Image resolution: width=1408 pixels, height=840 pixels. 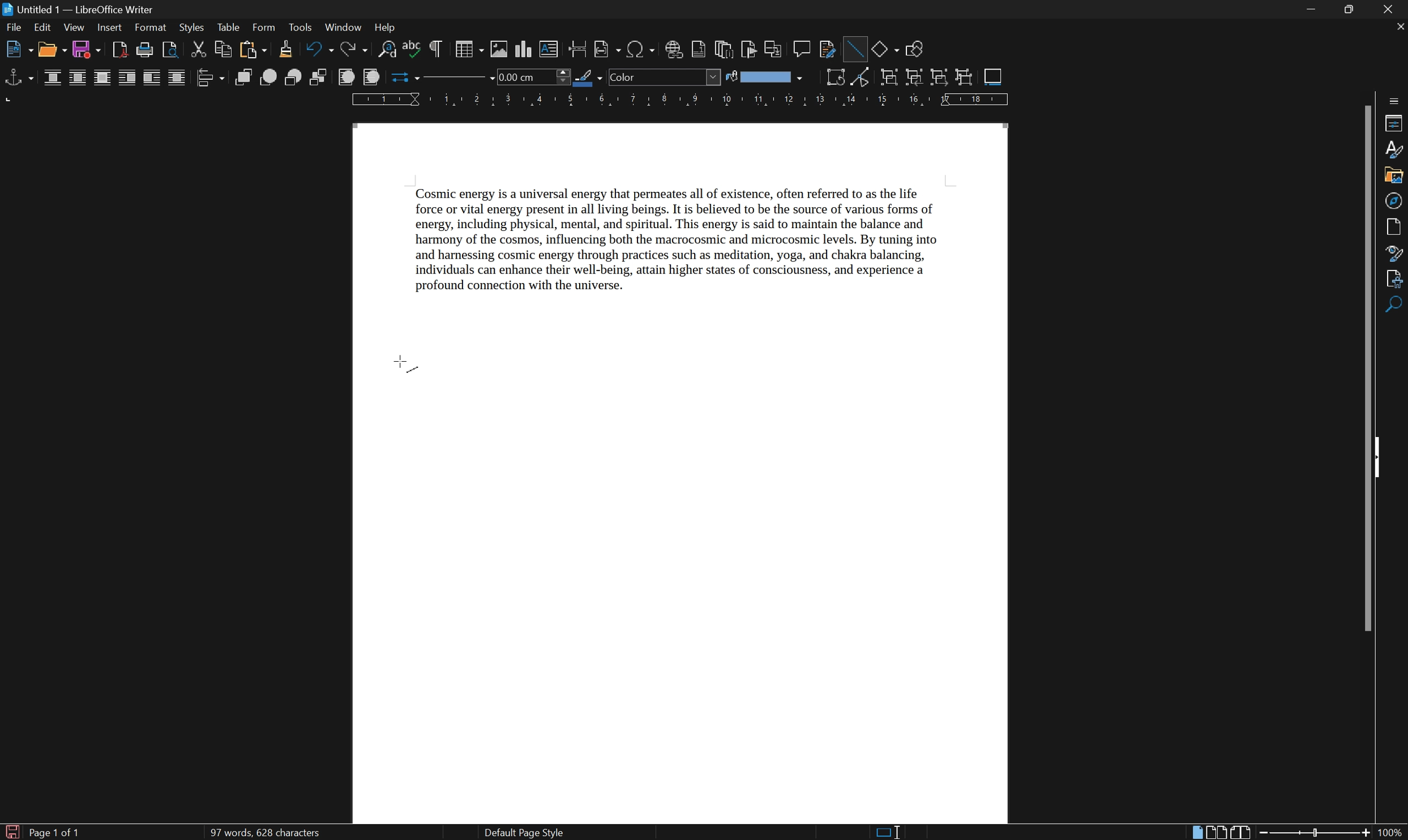 What do you see at coordinates (1265, 833) in the screenshot?
I see `zoom out` at bounding box center [1265, 833].